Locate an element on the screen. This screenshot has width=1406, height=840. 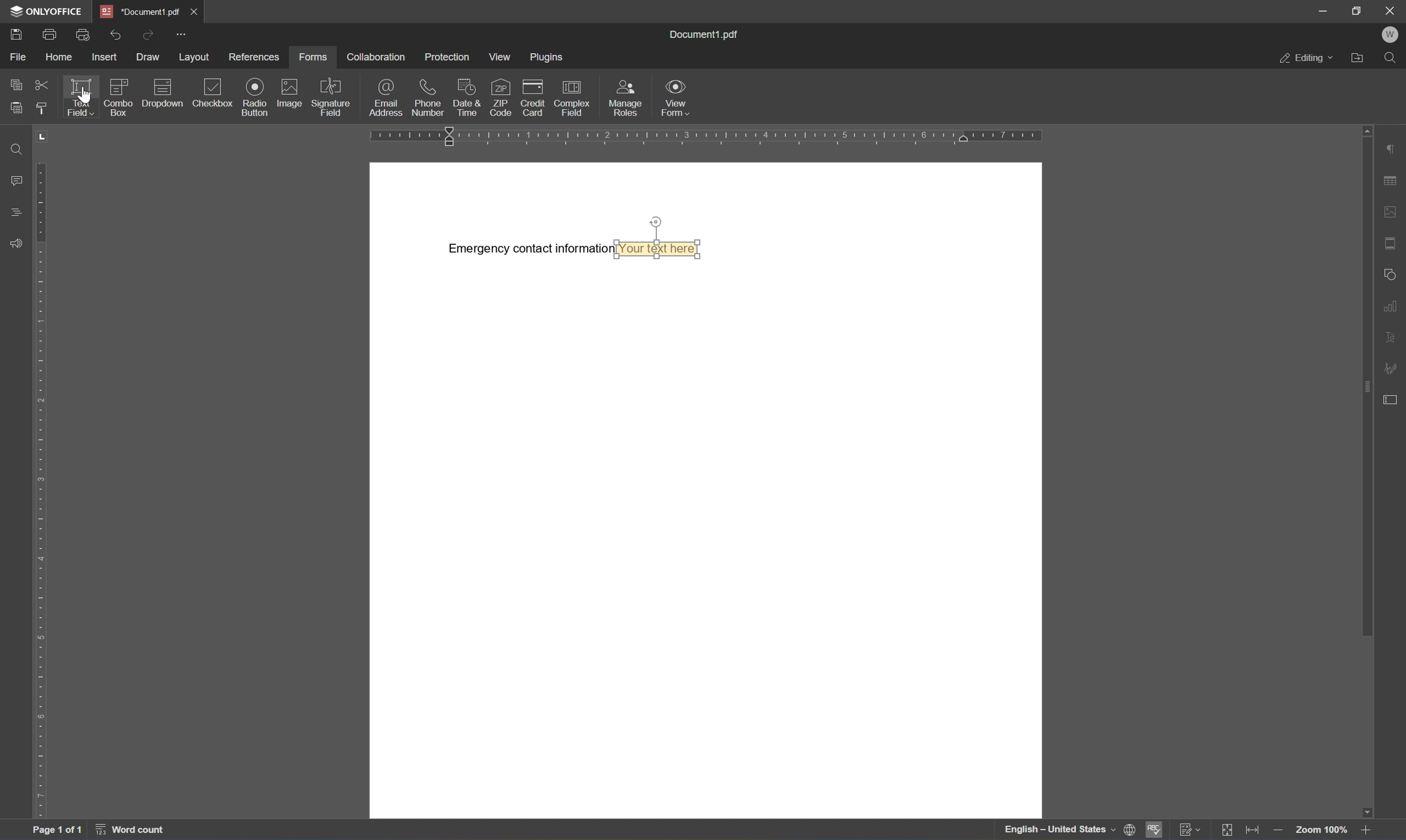
date and time is located at coordinates (469, 97).